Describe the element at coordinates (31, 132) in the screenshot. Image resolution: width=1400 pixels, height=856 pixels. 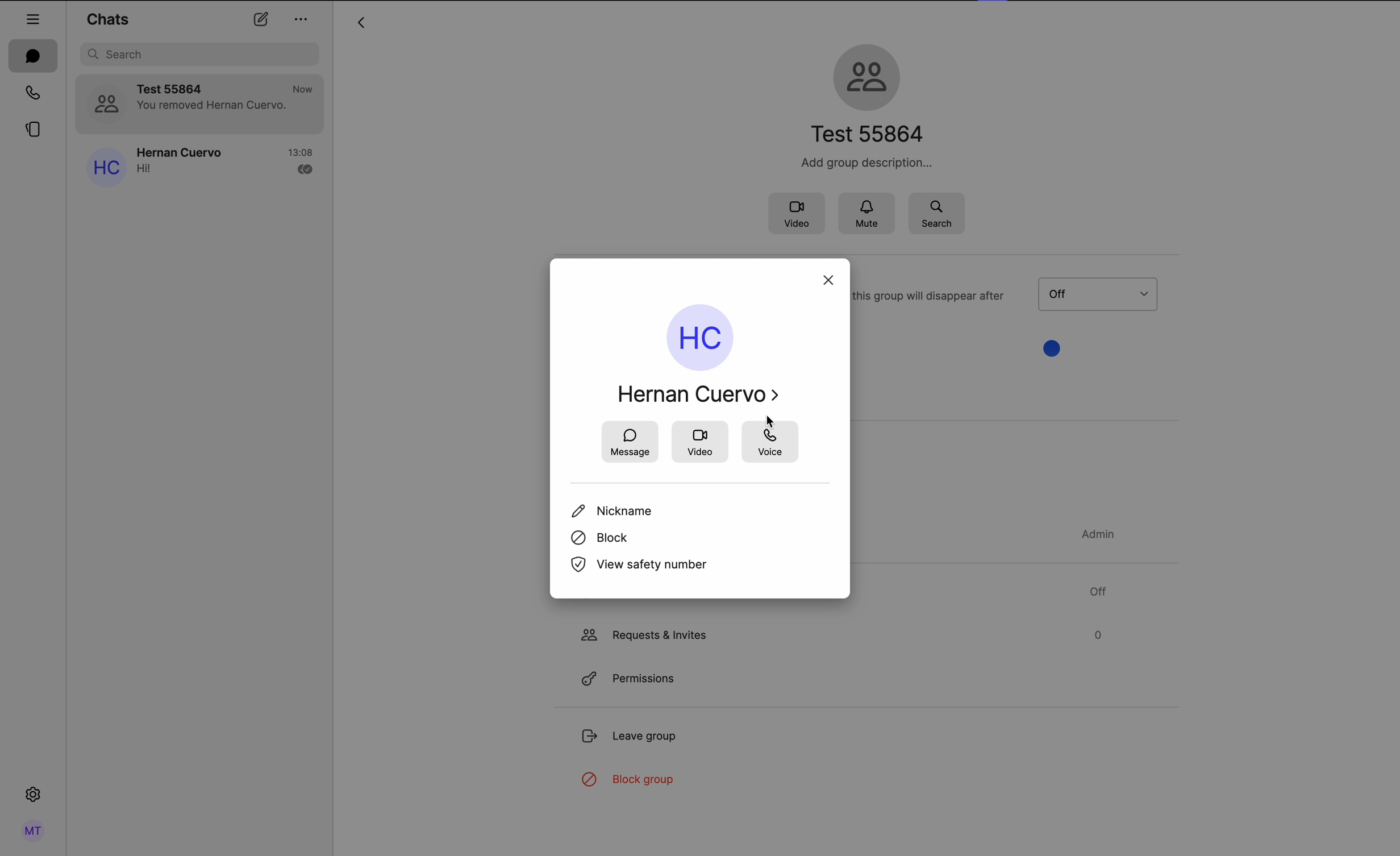
I see `stories` at that location.